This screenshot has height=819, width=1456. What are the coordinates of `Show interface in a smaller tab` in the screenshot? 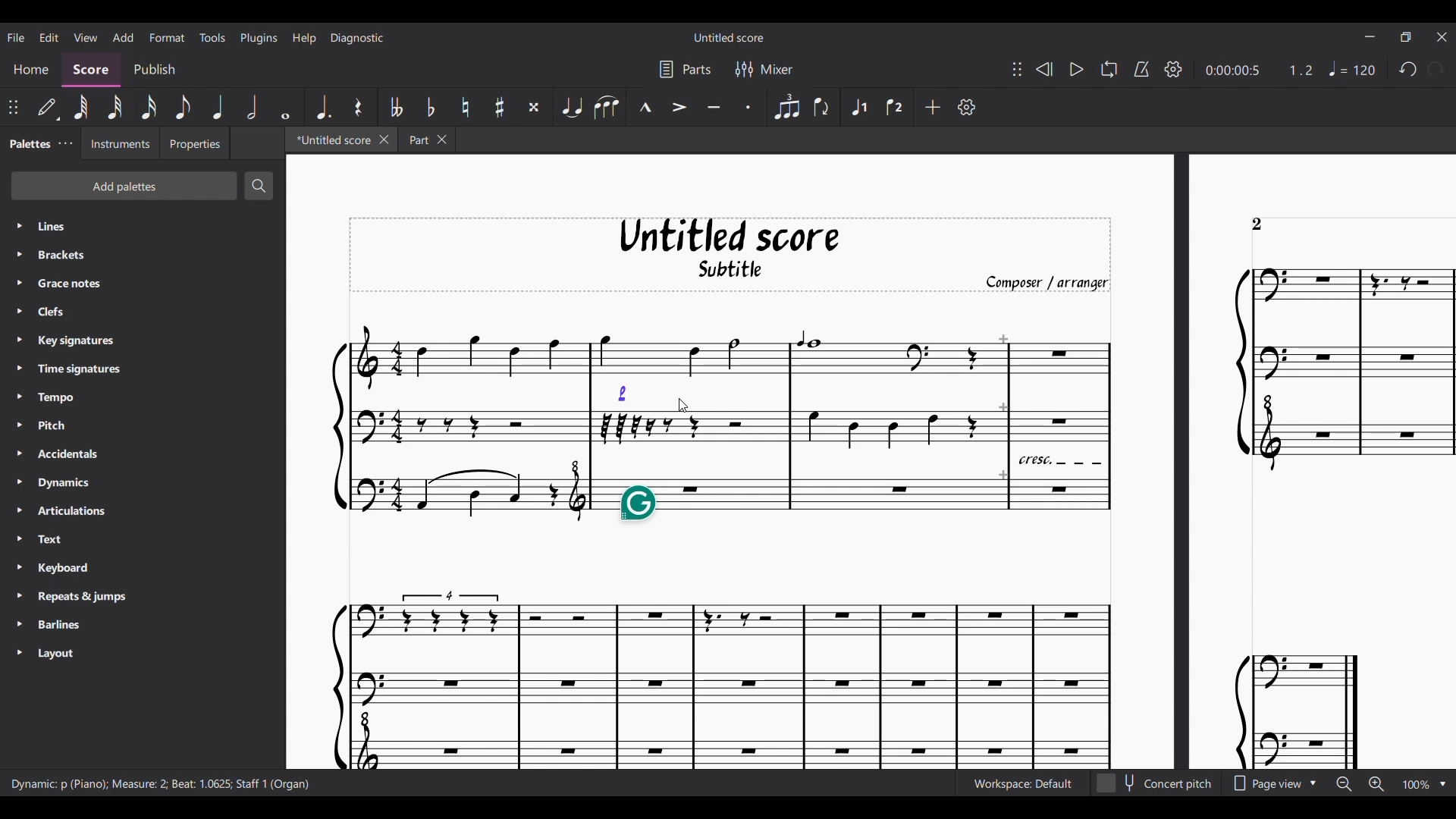 It's located at (1406, 37).